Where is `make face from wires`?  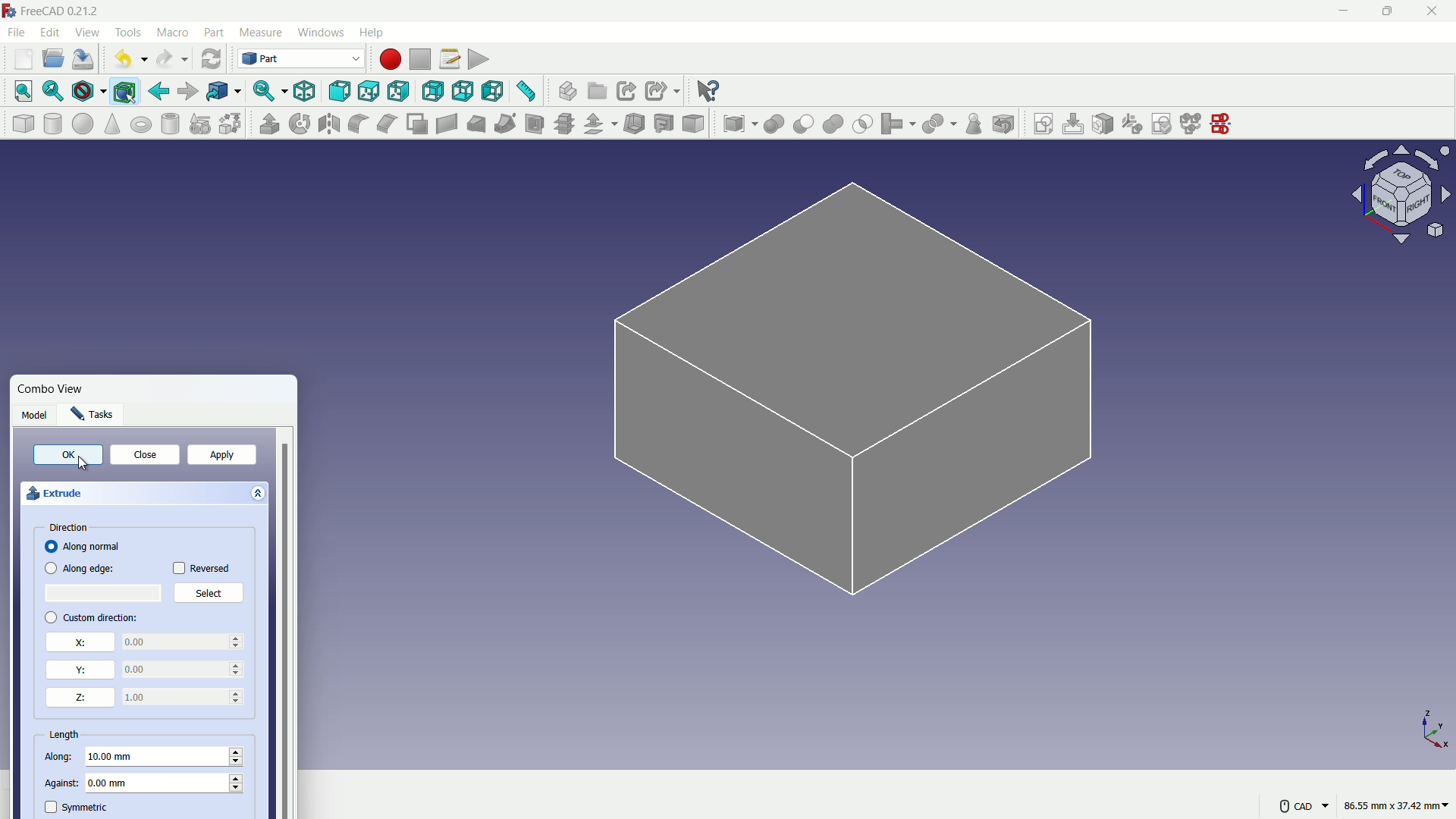 make face from wires is located at coordinates (418, 124).